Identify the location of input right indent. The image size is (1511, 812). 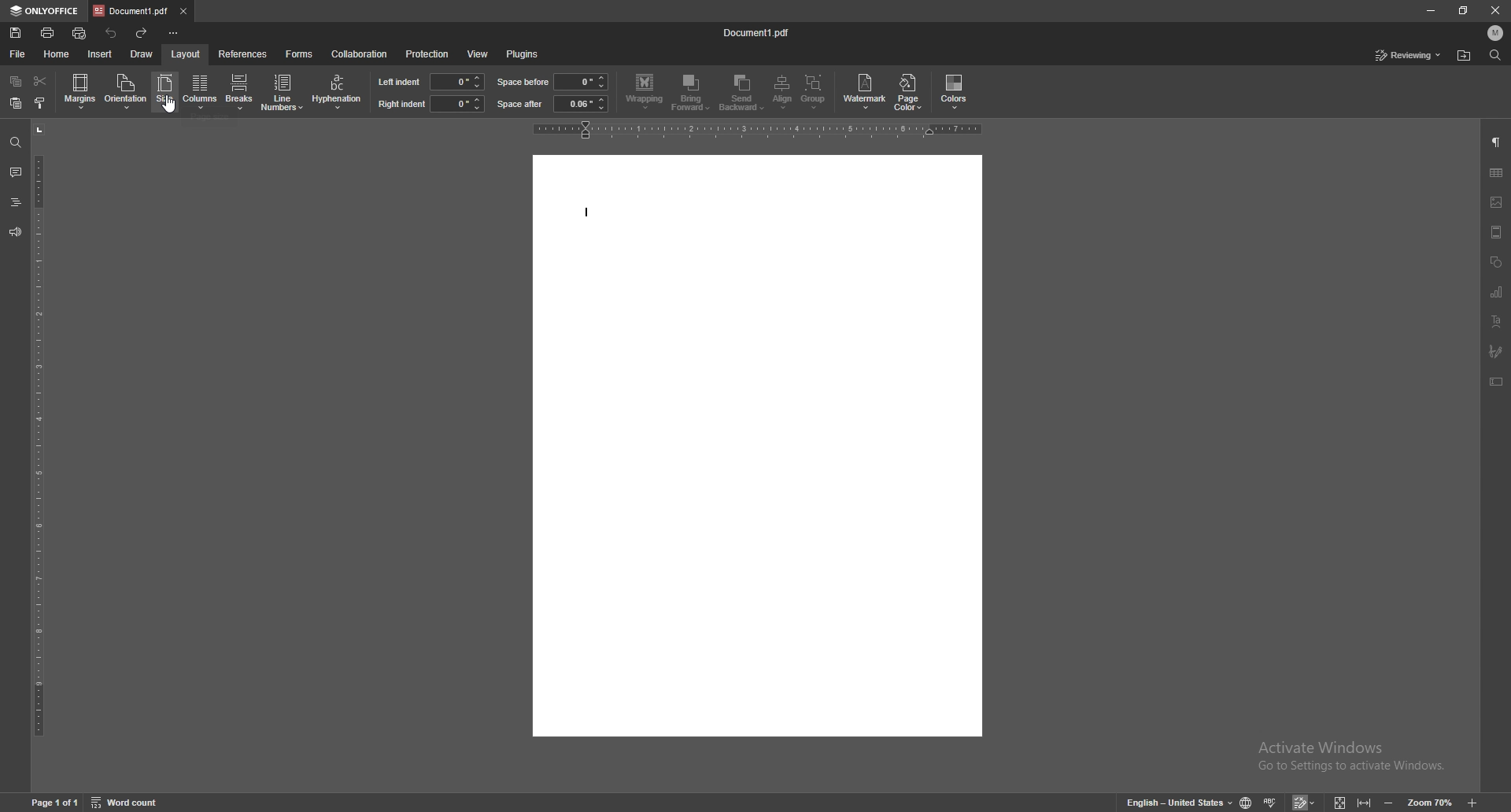
(456, 103).